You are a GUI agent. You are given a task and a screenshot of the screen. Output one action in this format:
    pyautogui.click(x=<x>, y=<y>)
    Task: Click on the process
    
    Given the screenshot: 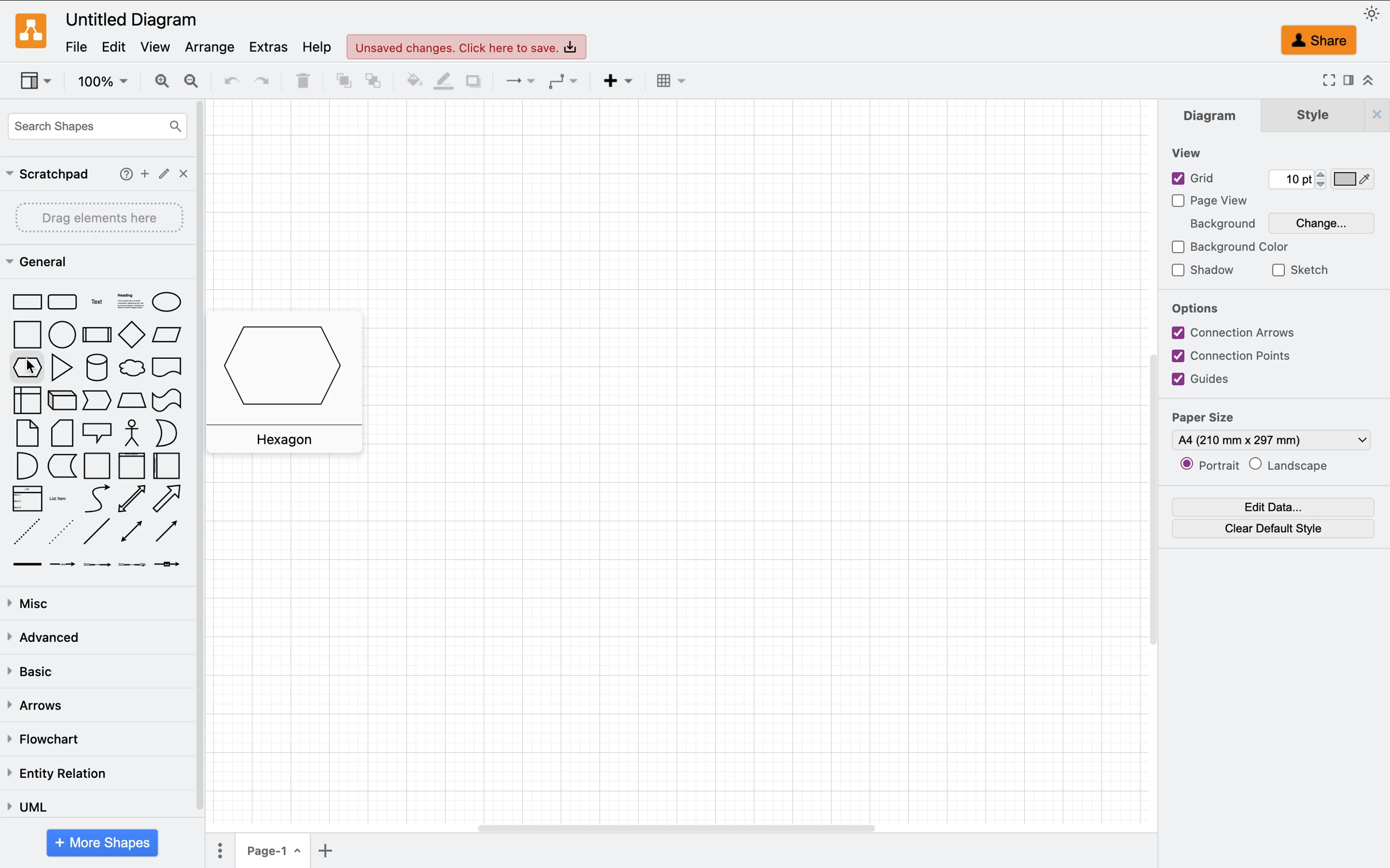 What is the action you would take?
    pyautogui.click(x=96, y=333)
    